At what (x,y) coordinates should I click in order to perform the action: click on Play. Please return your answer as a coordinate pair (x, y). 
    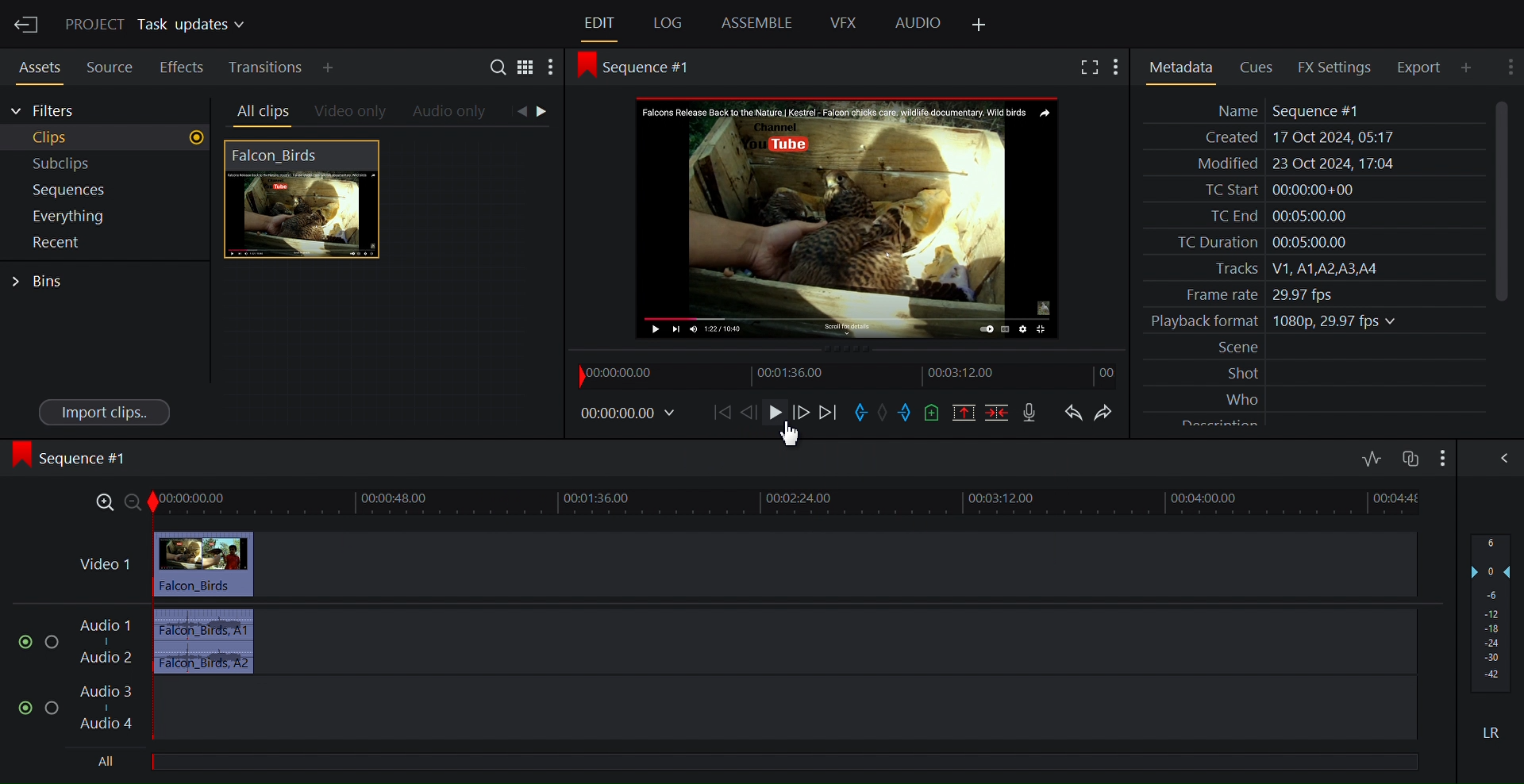
    Looking at the image, I should click on (775, 413).